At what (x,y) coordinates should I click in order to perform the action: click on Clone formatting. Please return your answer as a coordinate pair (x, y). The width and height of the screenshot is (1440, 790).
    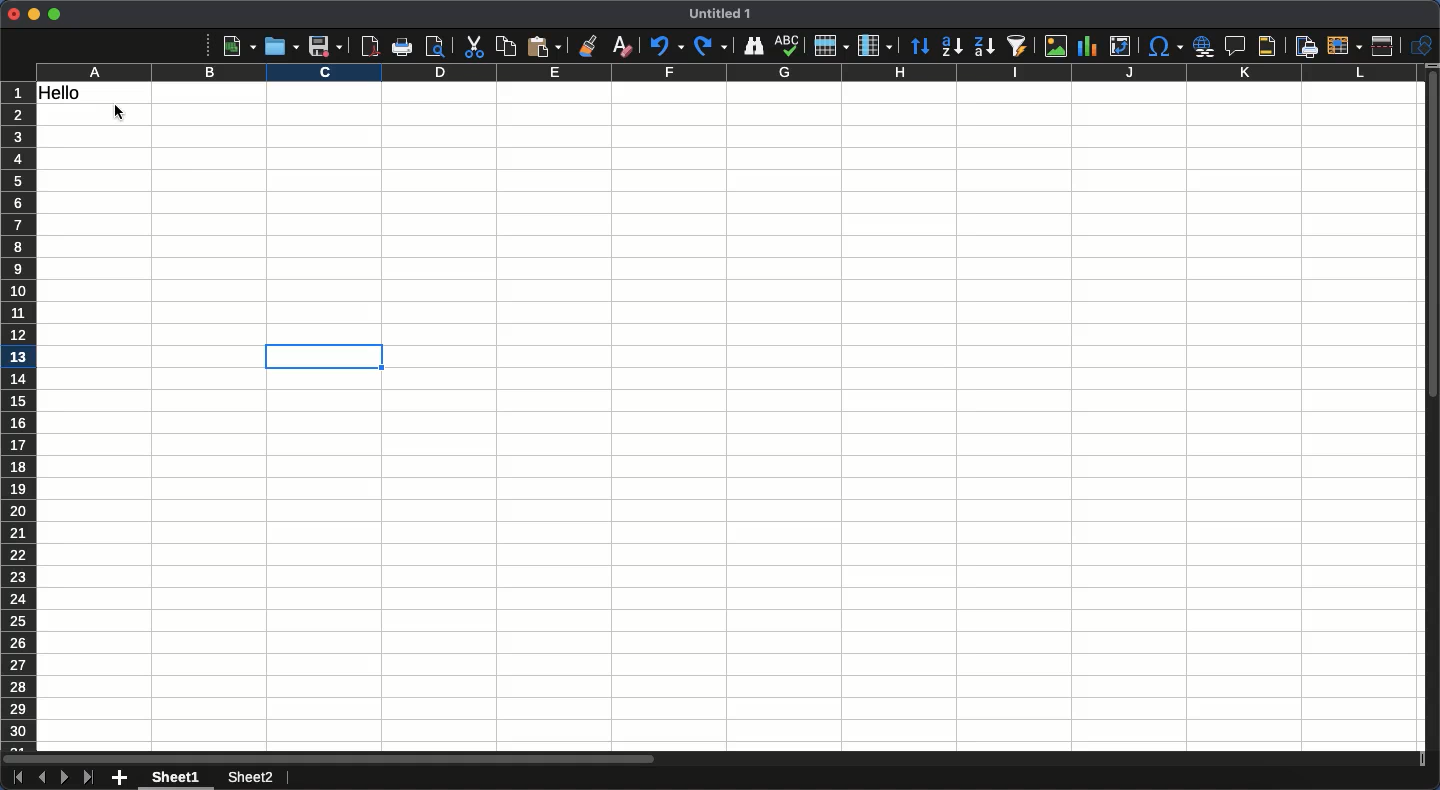
    Looking at the image, I should click on (589, 46).